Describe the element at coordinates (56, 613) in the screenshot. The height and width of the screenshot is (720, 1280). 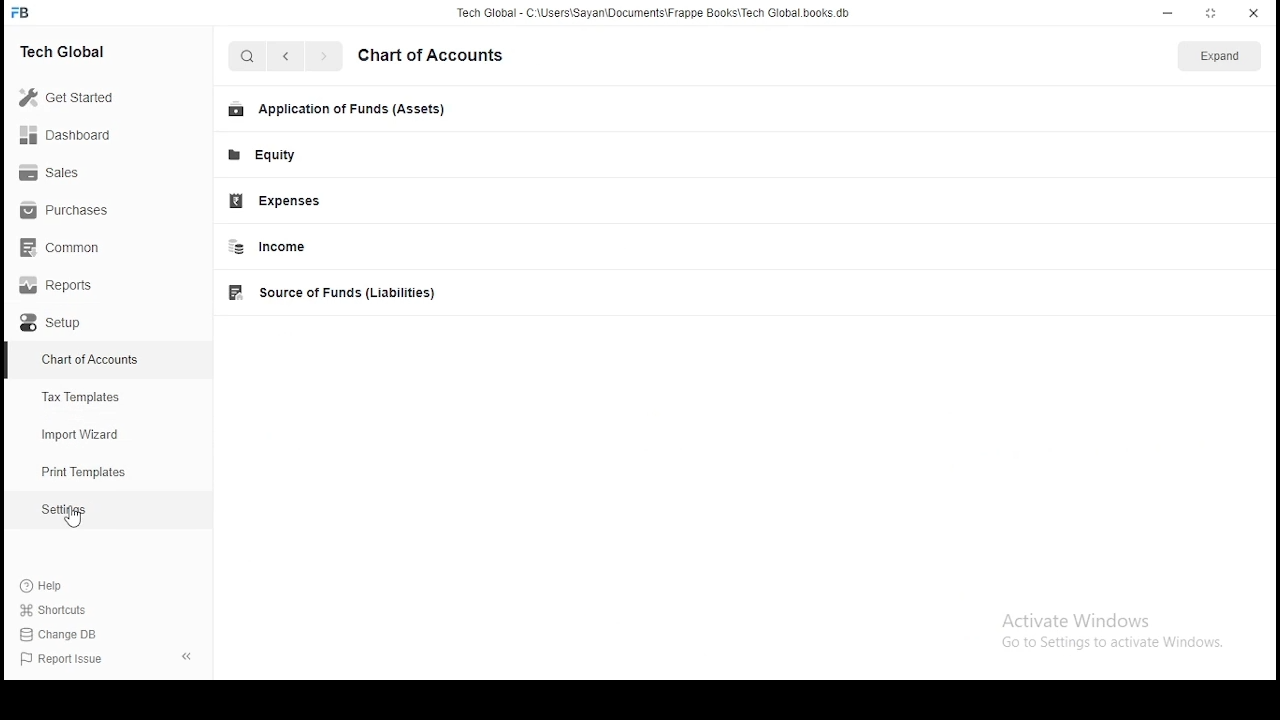
I see `shortcuts ` at that location.